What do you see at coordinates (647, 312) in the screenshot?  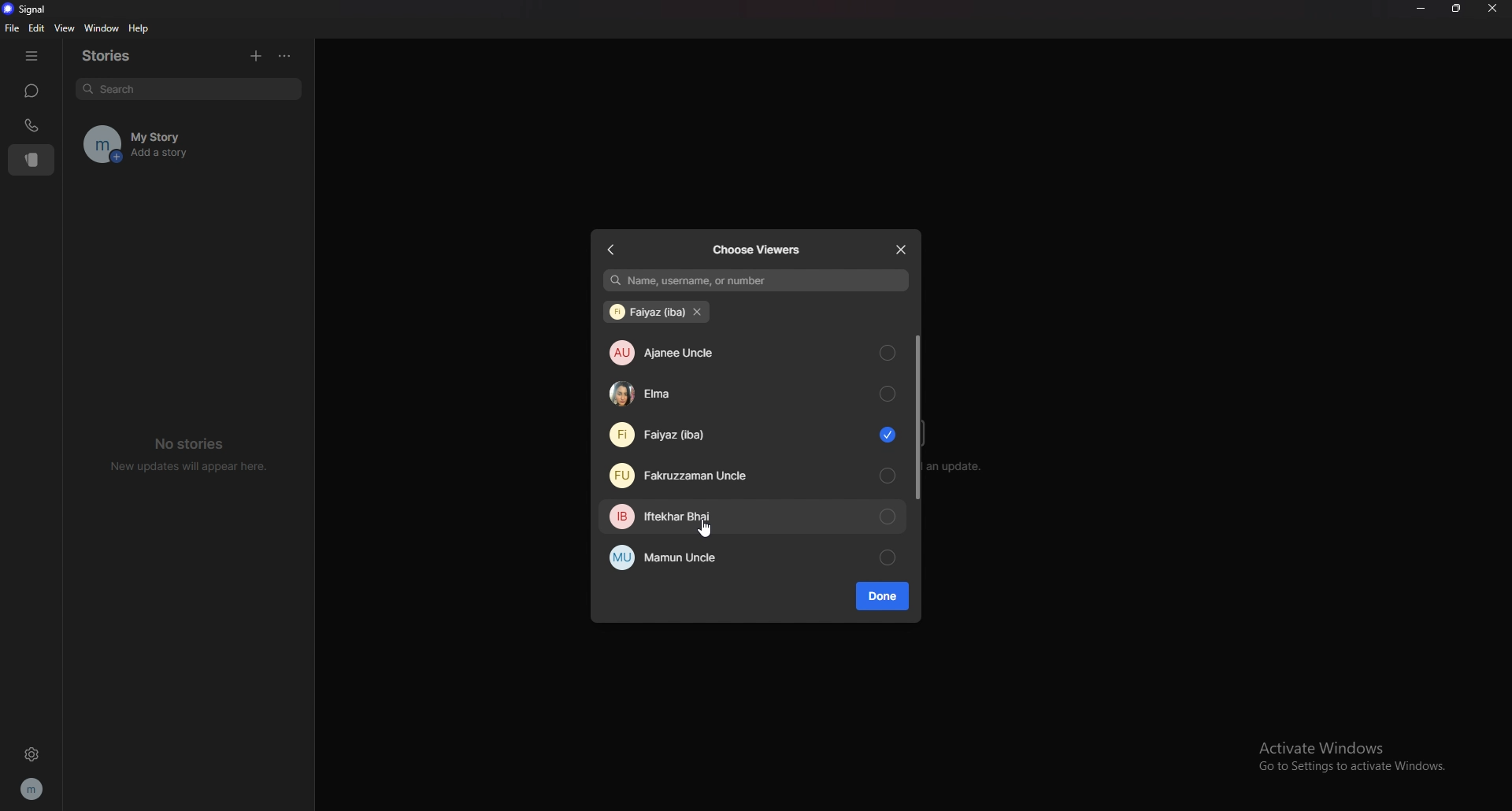 I see `faiyaz (iba)` at bounding box center [647, 312].